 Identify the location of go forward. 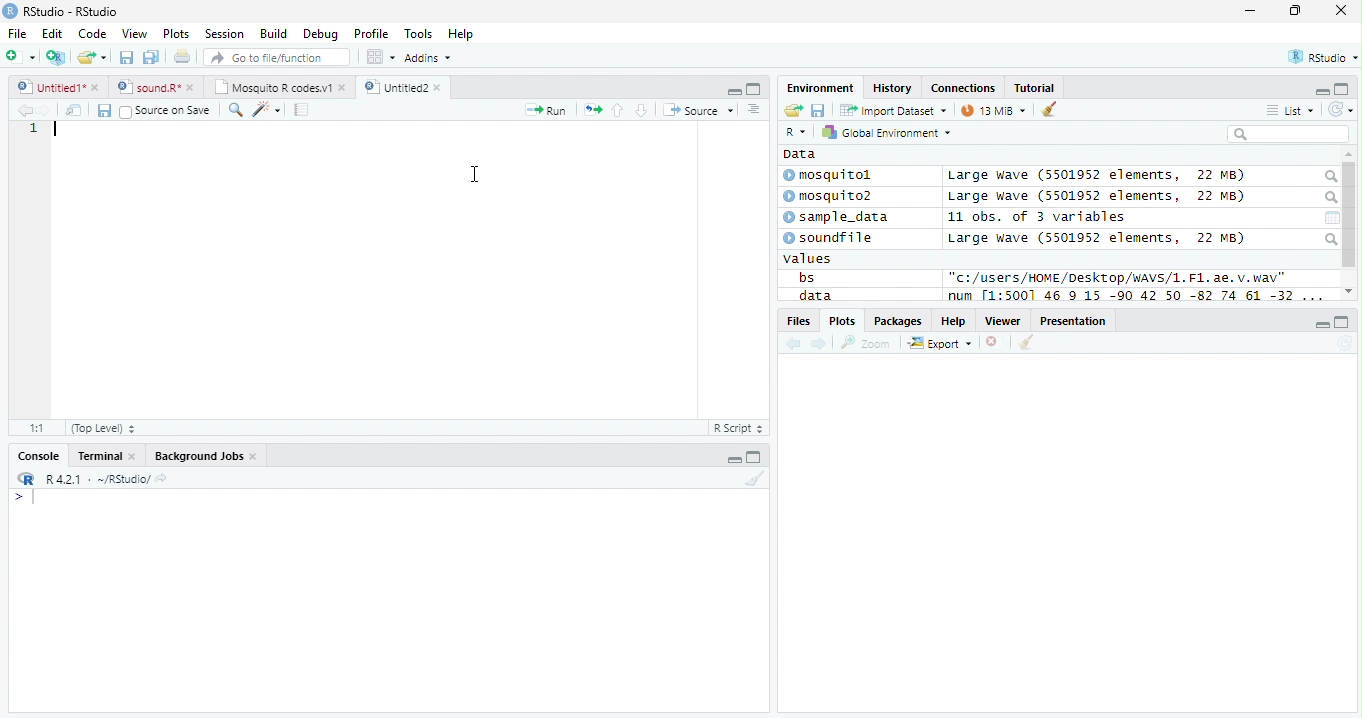
(820, 345).